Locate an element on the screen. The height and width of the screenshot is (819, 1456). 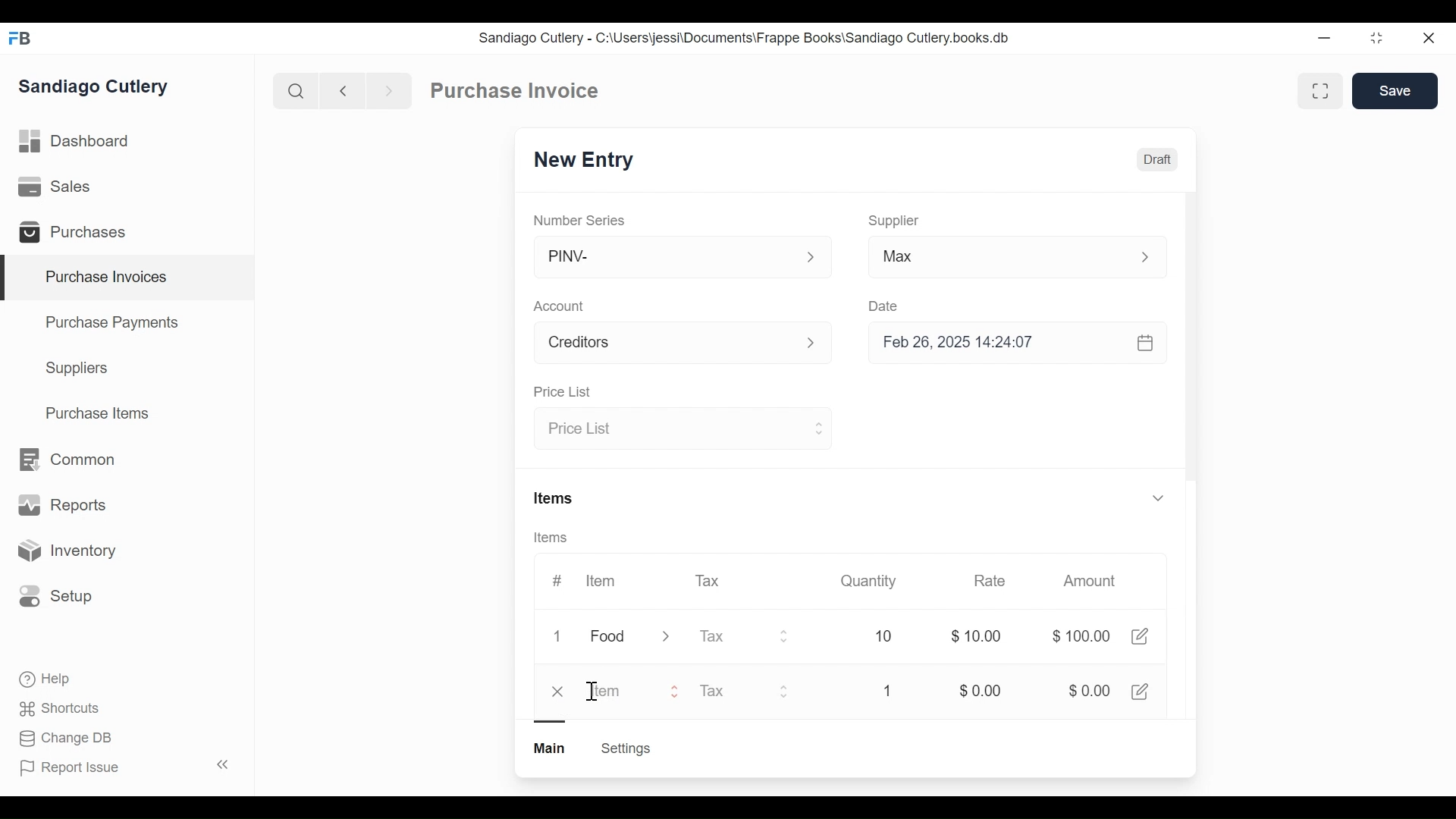
$0.00 is located at coordinates (1089, 690).